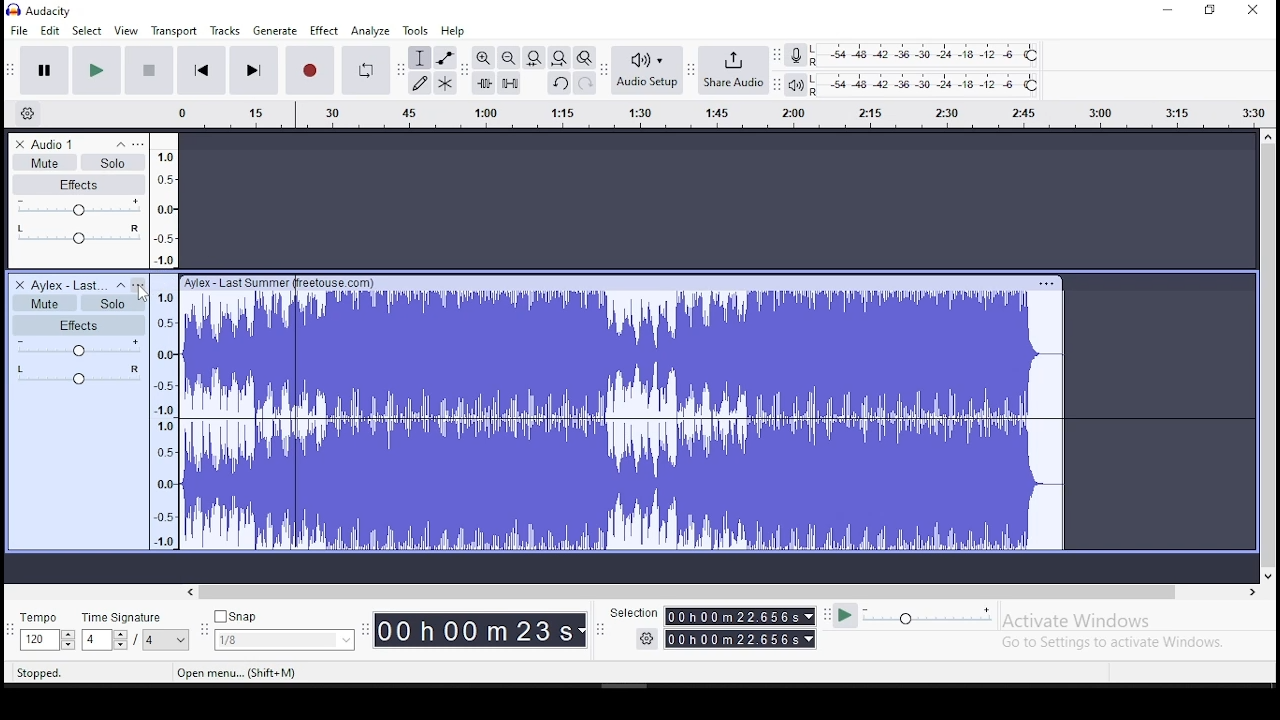 The height and width of the screenshot is (720, 1280). Describe the element at coordinates (723, 591) in the screenshot. I see `scroll bar` at that location.